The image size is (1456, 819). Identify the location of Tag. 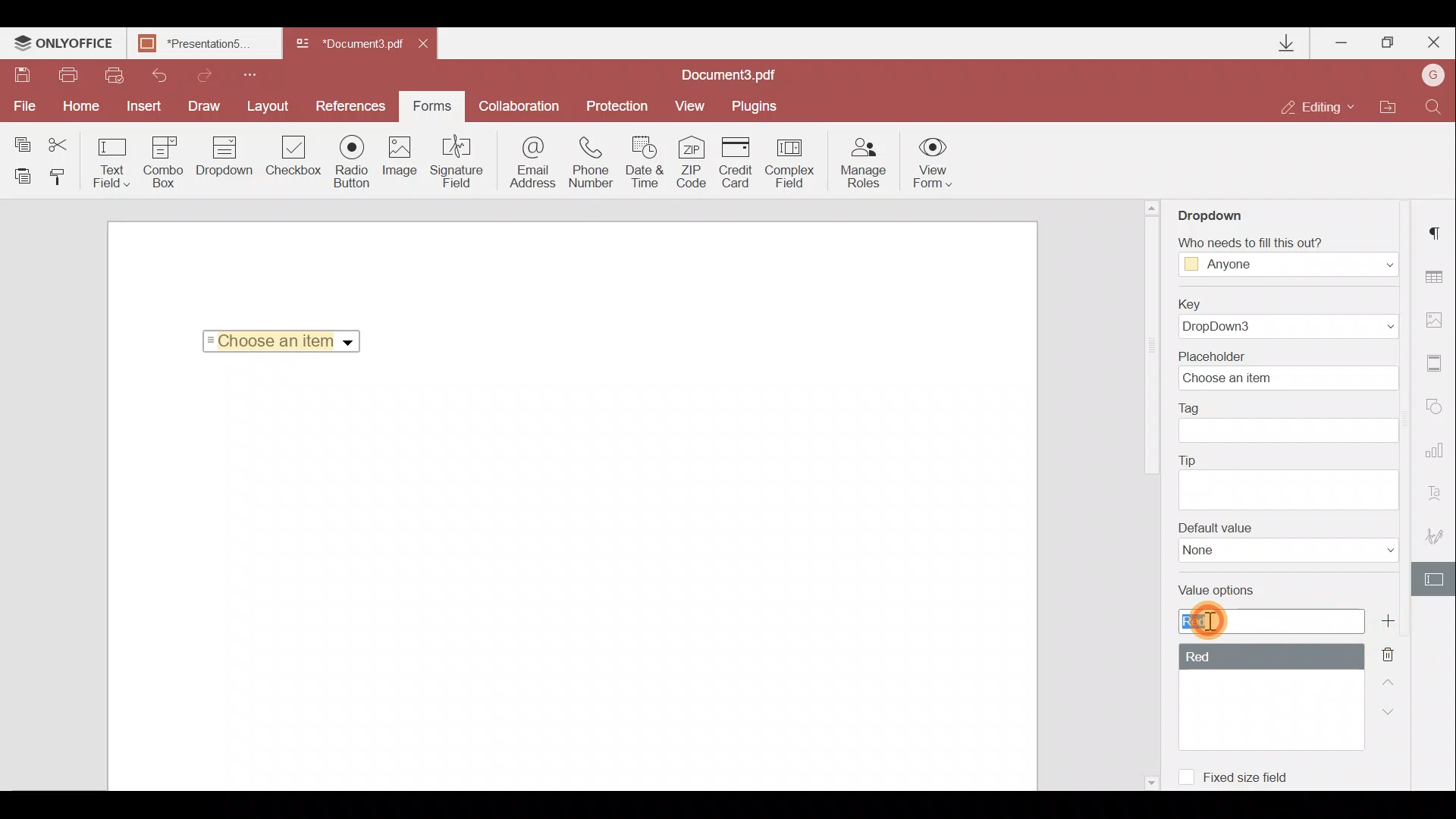
(1295, 424).